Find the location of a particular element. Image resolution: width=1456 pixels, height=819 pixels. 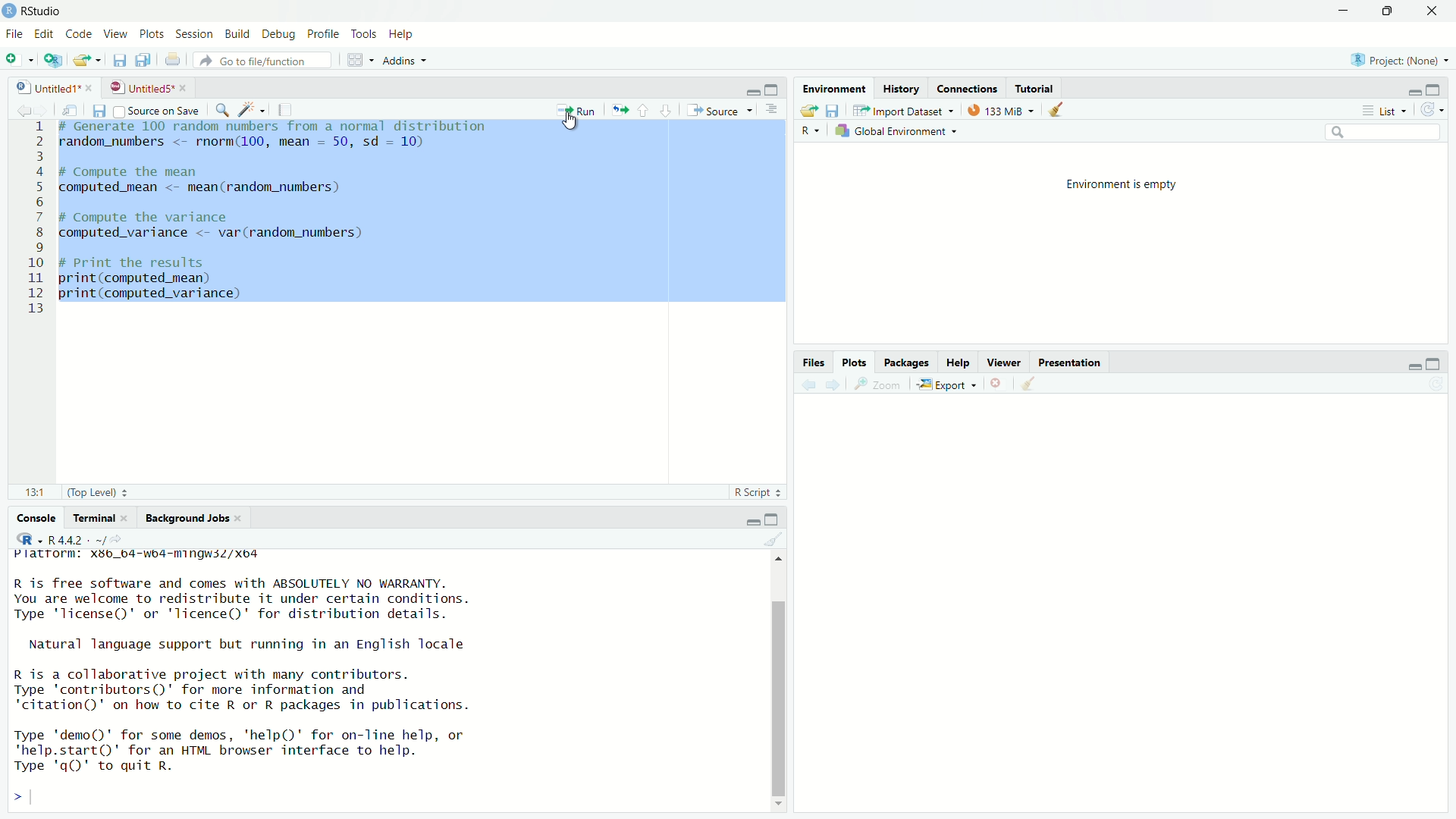

move down is located at coordinates (778, 800).